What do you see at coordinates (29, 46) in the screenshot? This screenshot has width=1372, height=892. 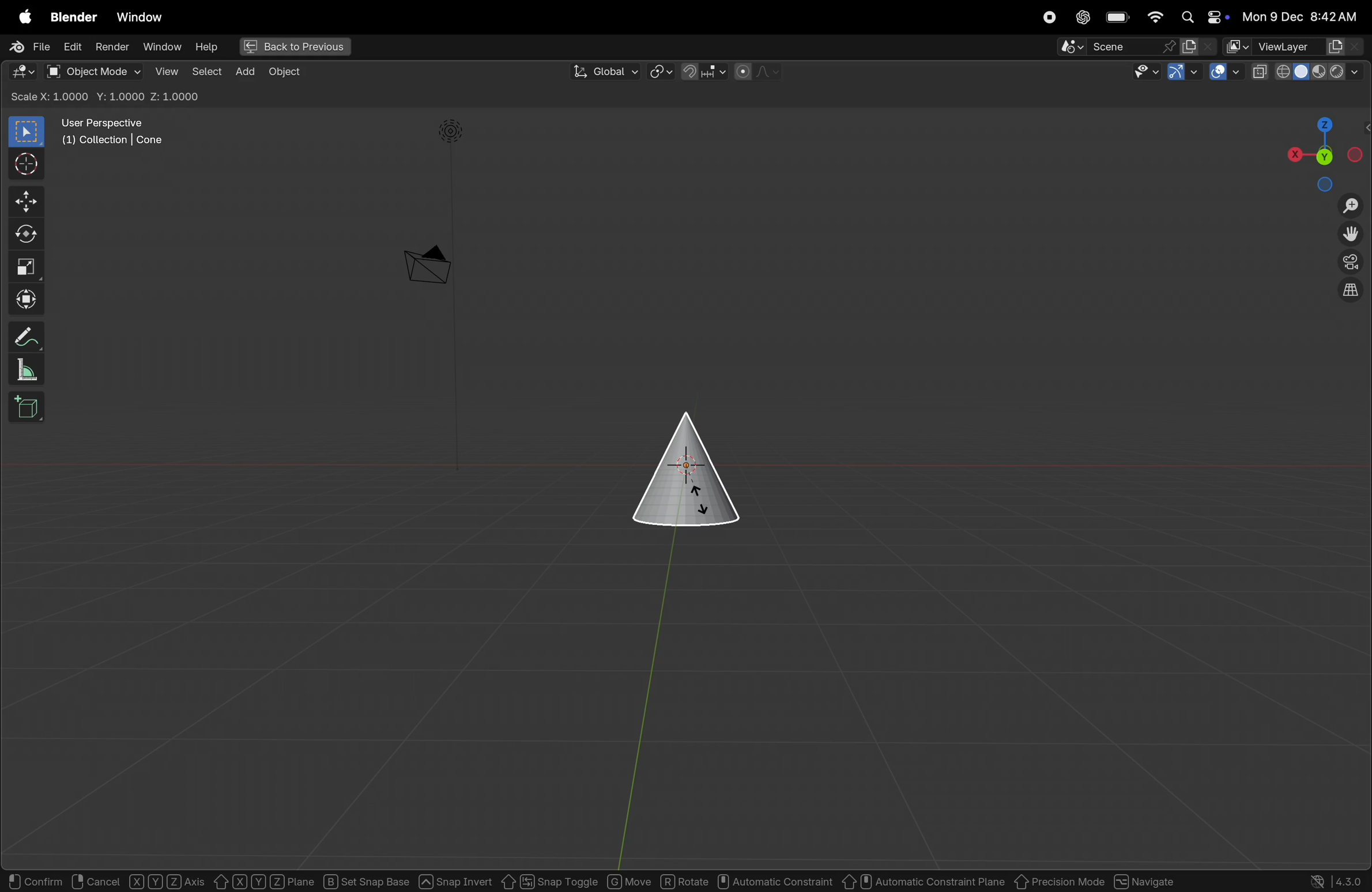 I see `File` at bounding box center [29, 46].